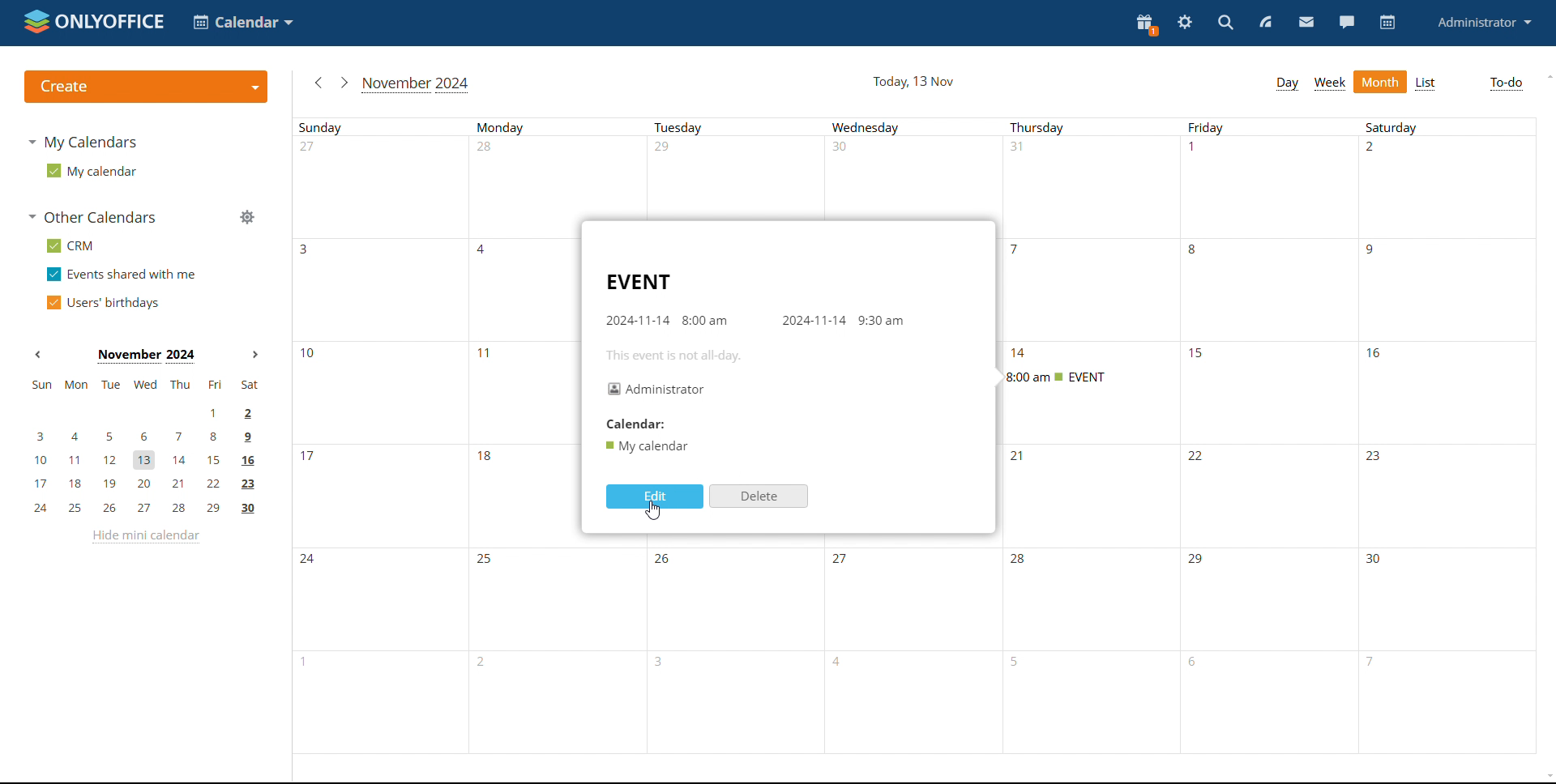 This screenshot has height=784, width=1556. What do you see at coordinates (435, 489) in the screenshot?
I see `dates of the month` at bounding box center [435, 489].